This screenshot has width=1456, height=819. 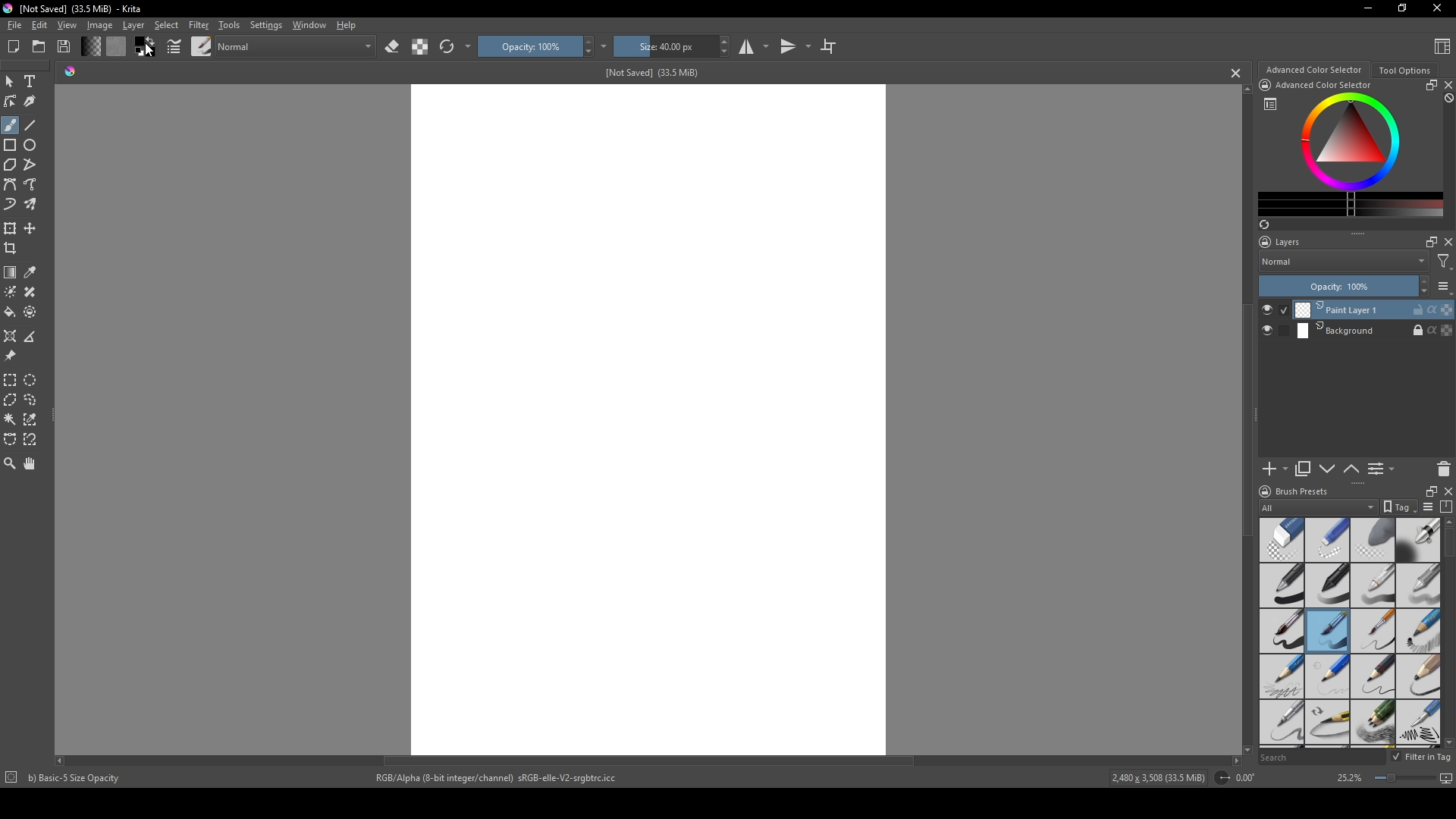 I want to click on All, so click(x=1318, y=507).